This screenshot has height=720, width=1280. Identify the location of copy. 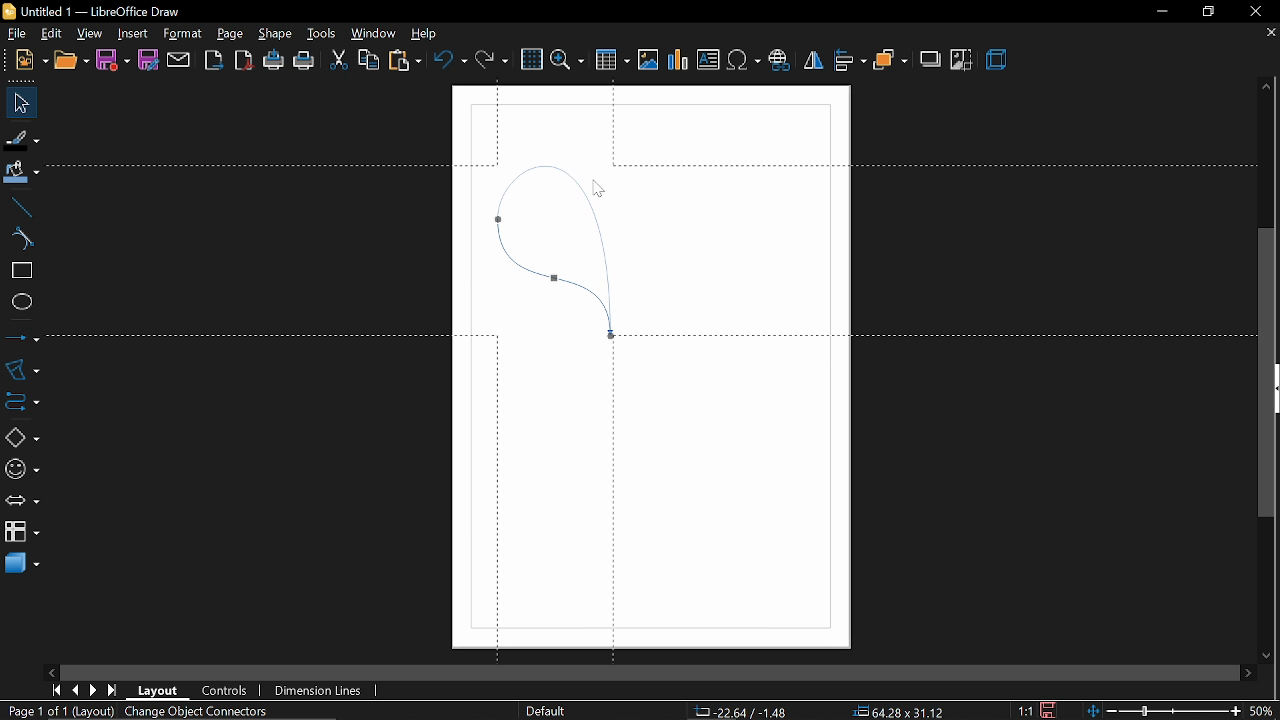
(367, 62).